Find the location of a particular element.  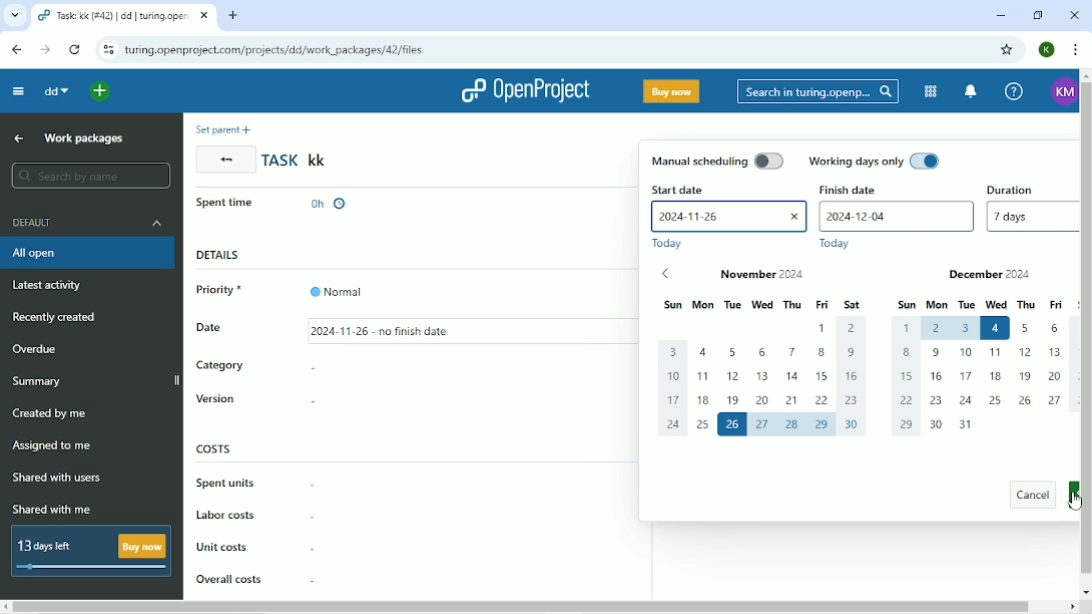

Duartion is located at coordinates (1029, 188).